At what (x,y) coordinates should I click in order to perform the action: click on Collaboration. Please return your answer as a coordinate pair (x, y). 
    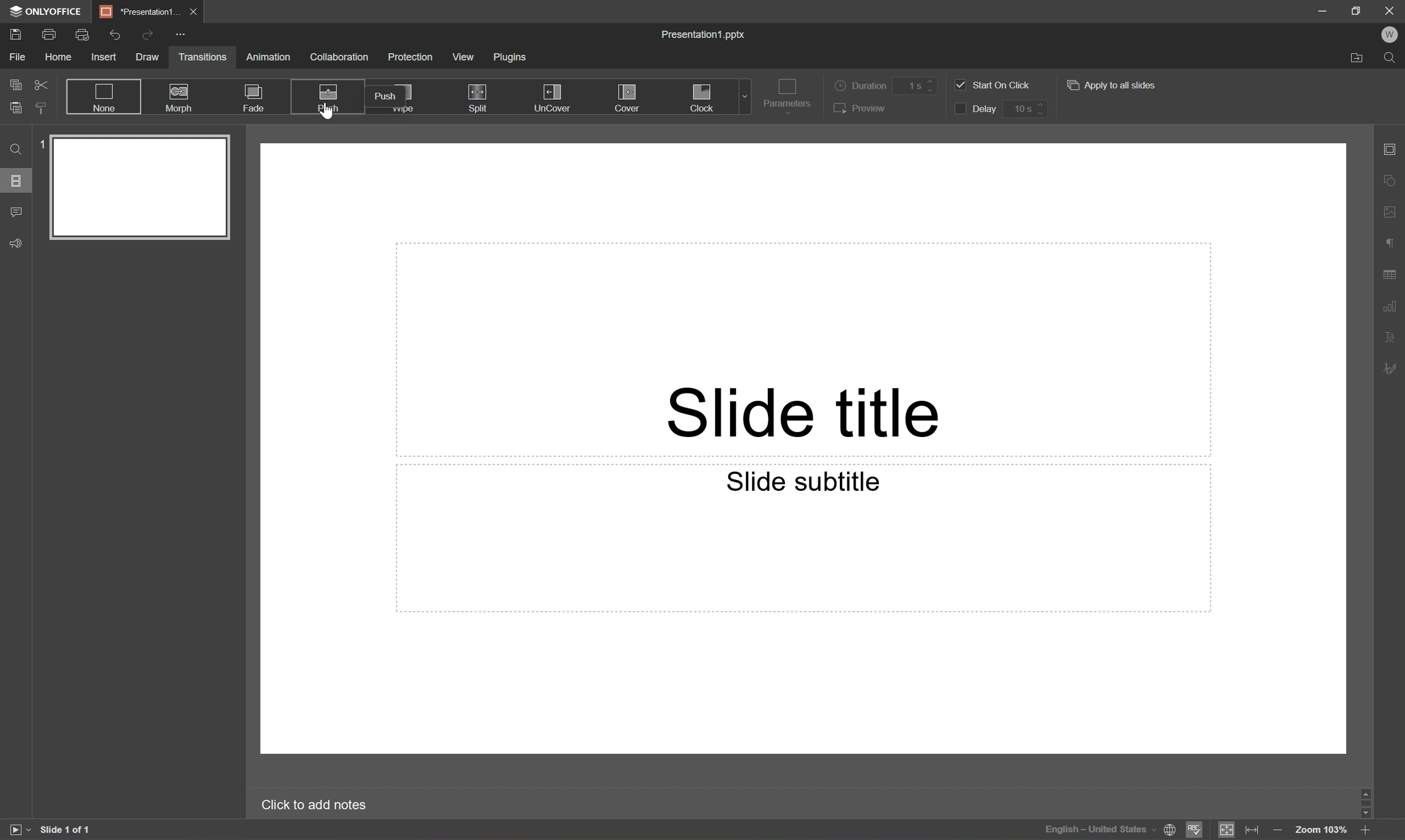
    Looking at the image, I should click on (340, 61).